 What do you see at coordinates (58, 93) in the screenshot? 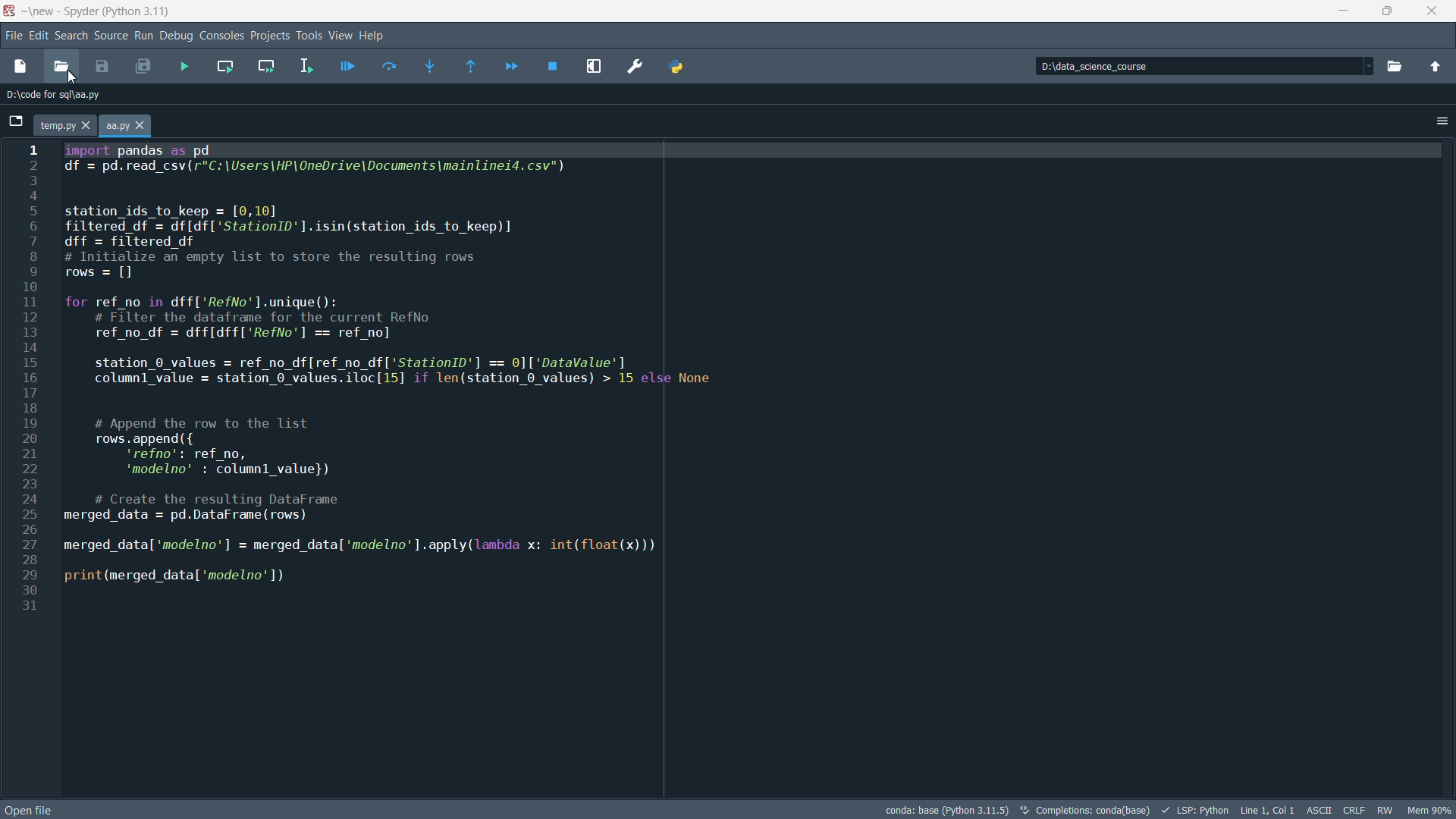
I see `current file path` at bounding box center [58, 93].